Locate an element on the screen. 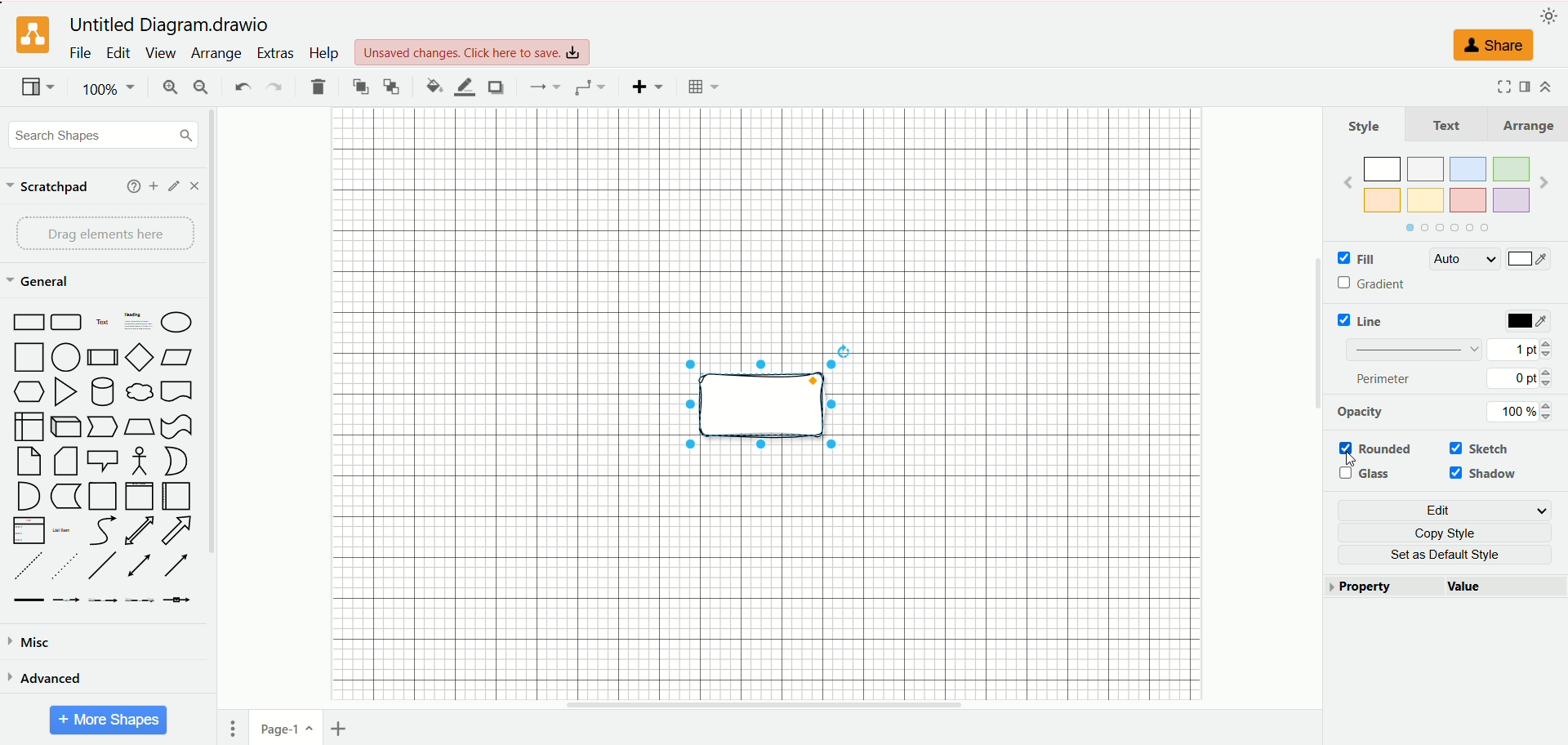 The height and width of the screenshot is (745, 1568). advanced is located at coordinates (45, 677).